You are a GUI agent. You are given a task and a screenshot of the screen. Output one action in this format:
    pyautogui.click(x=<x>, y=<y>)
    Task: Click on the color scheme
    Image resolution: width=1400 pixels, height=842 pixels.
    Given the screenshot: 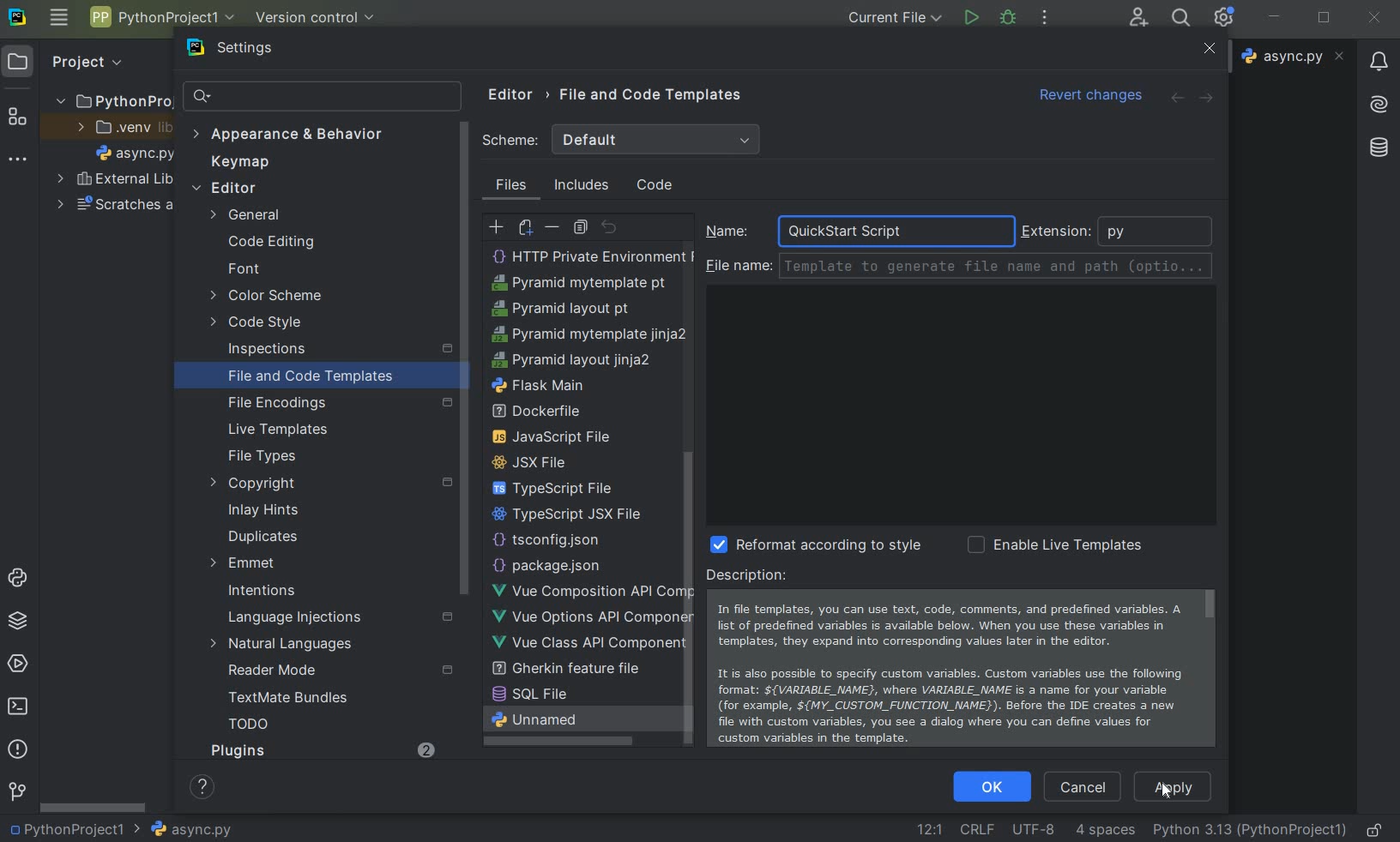 What is the action you would take?
    pyautogui.click(x=278, y=295)
    